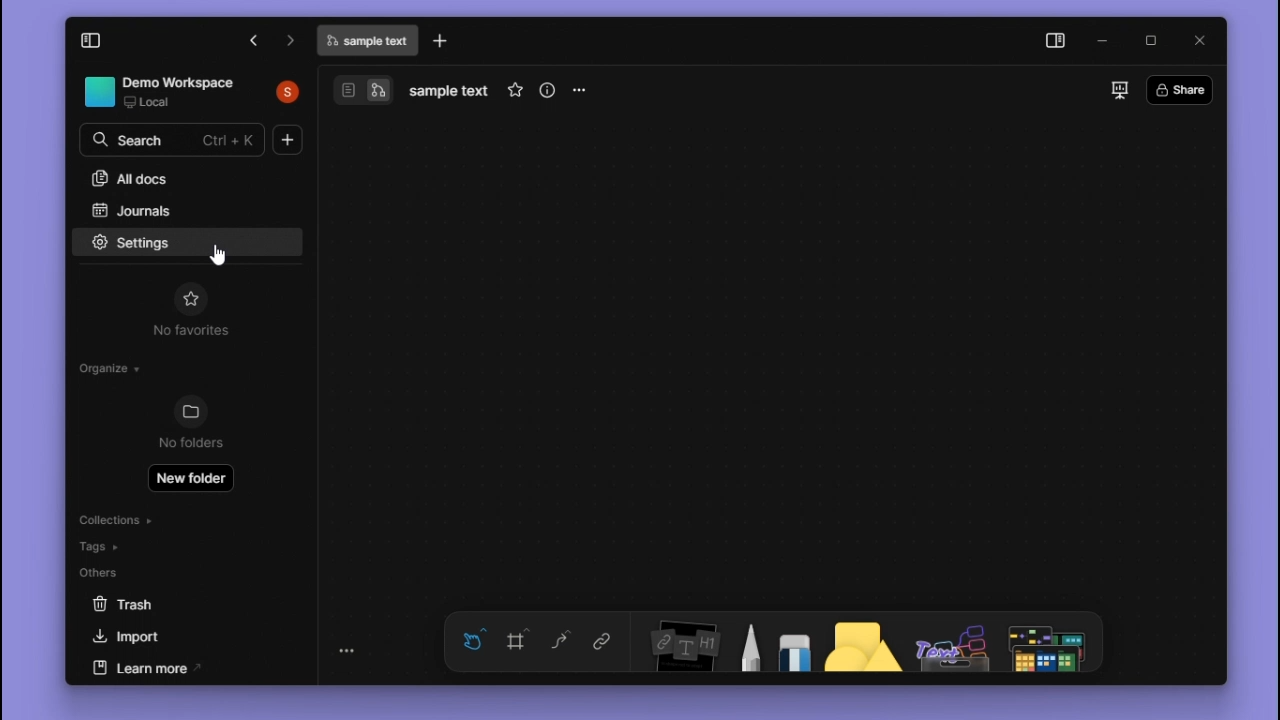  Describe the element at coordinates (250, 41) in the screenshot. I see `go forward` at that location.